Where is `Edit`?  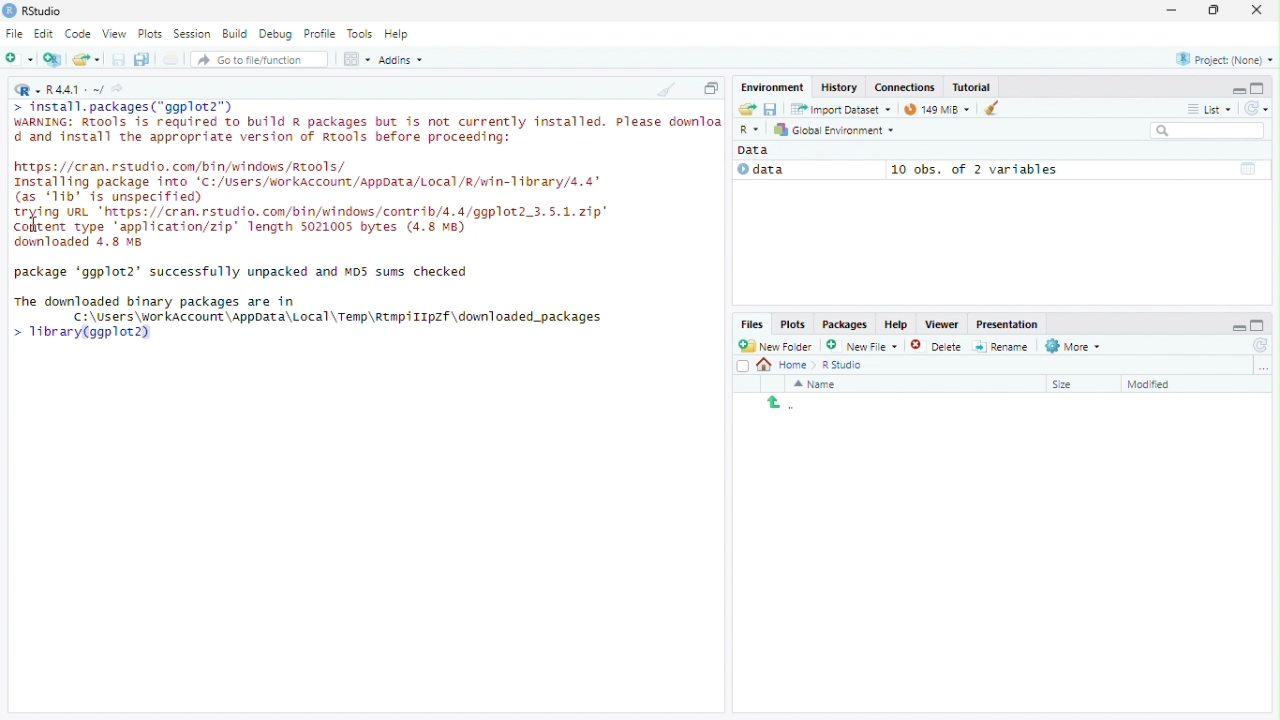
Edit is located at coordinates (45, 34).